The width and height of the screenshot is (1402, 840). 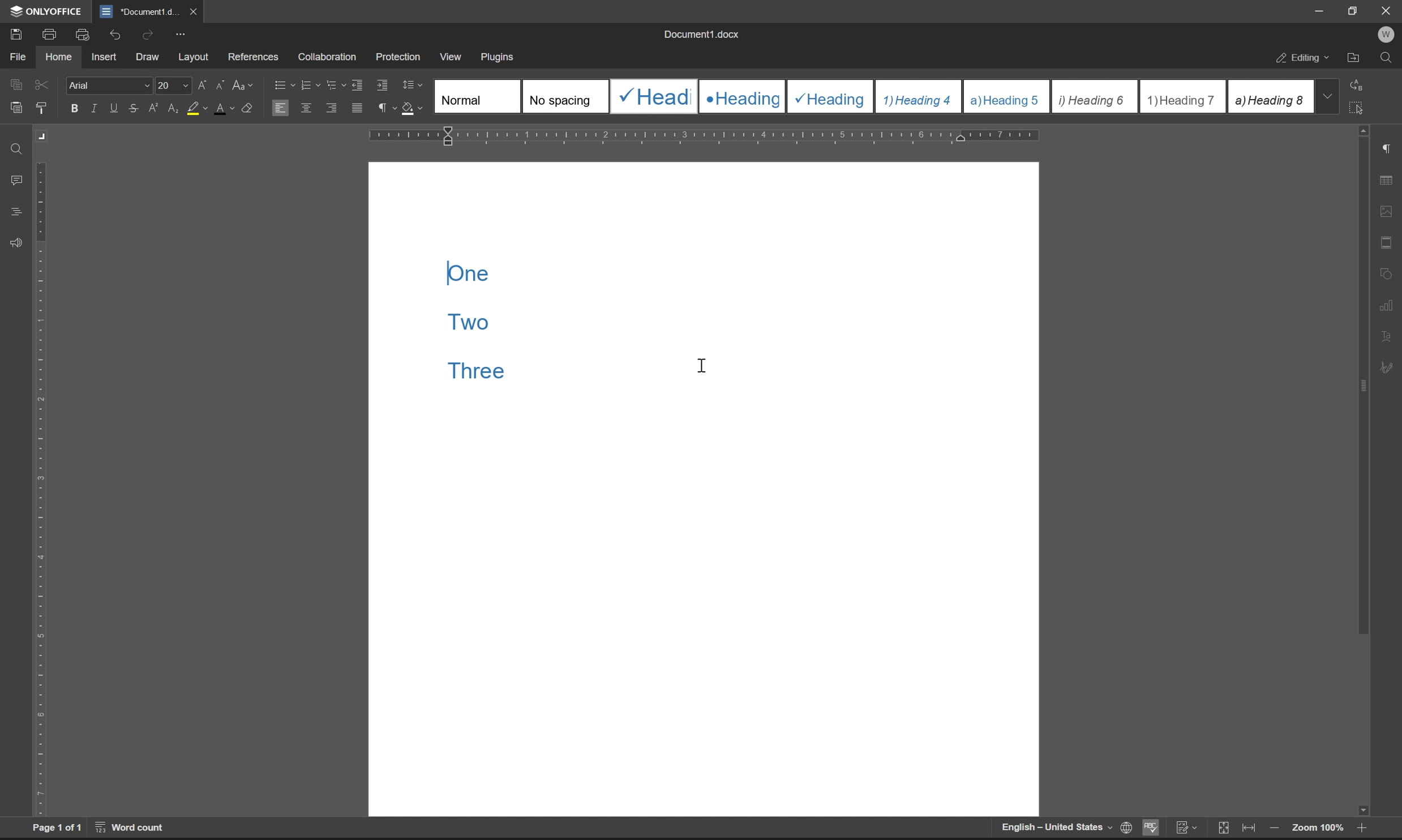 What do you see at coordinates (358, 108) in the screenshot?
I see `justified` at bounding box center [358, 108].